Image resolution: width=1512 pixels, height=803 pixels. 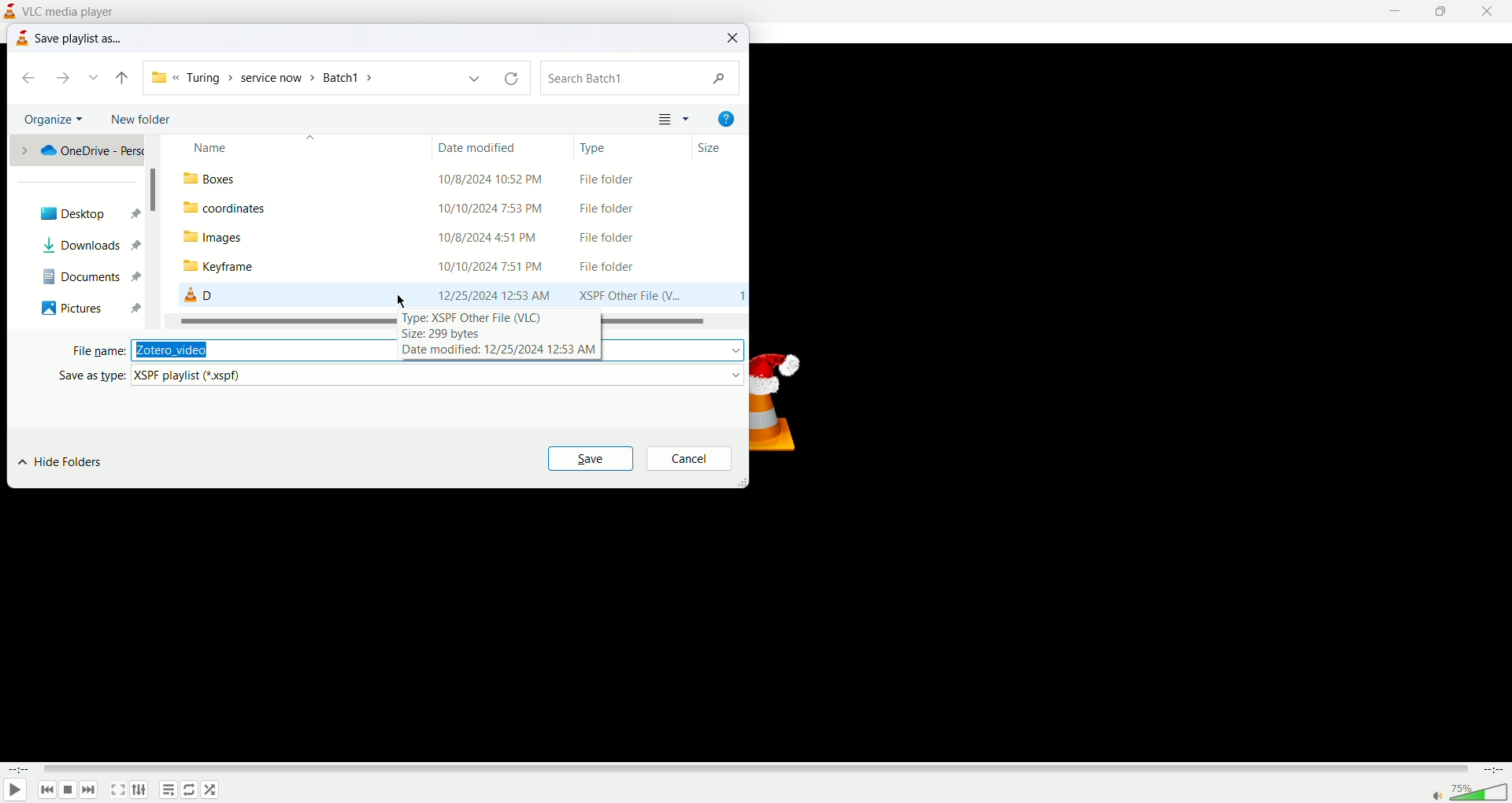 I want to click on images, so click(x=233, y=238).